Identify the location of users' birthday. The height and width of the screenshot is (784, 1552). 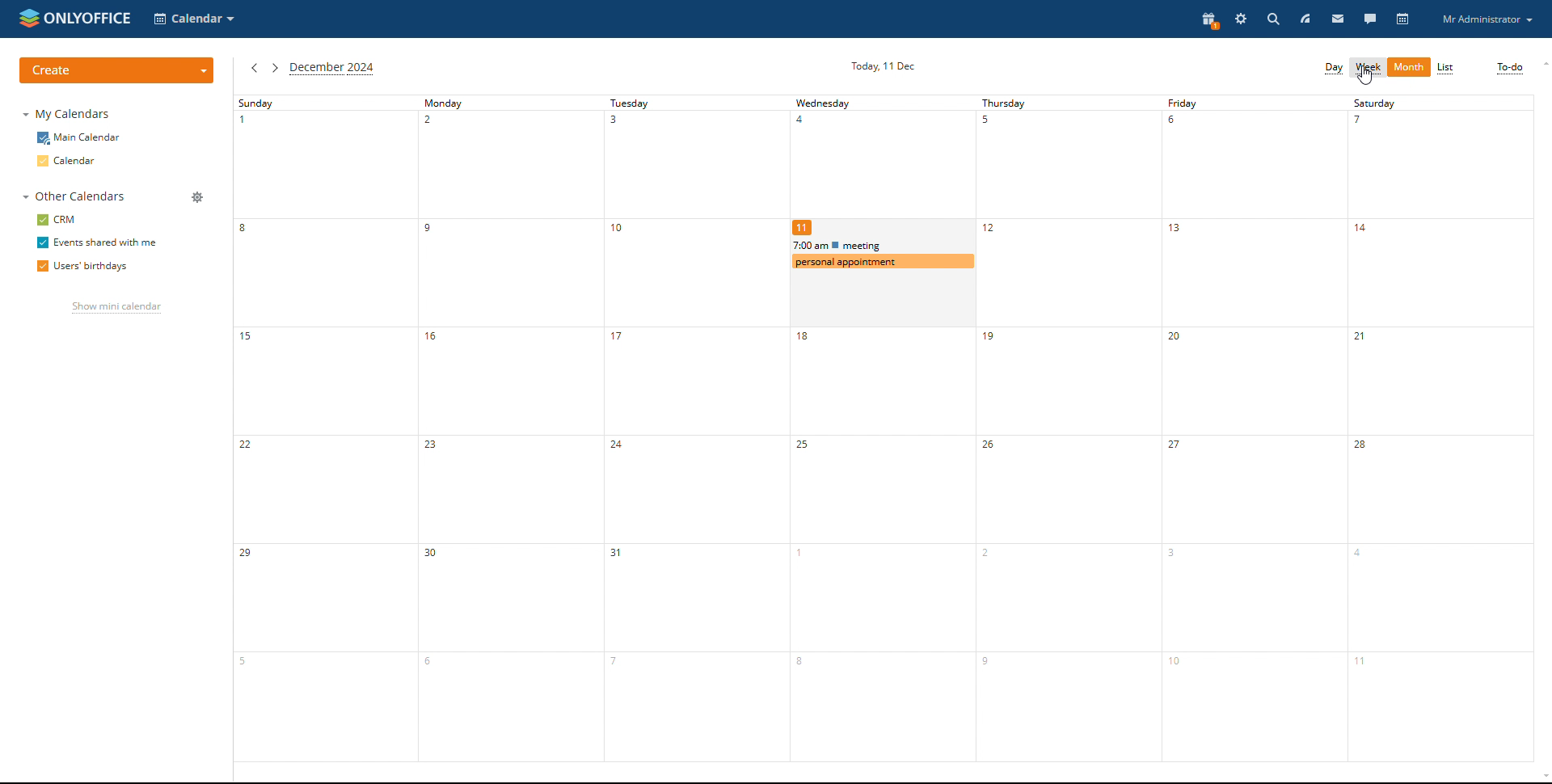
(83, 266).